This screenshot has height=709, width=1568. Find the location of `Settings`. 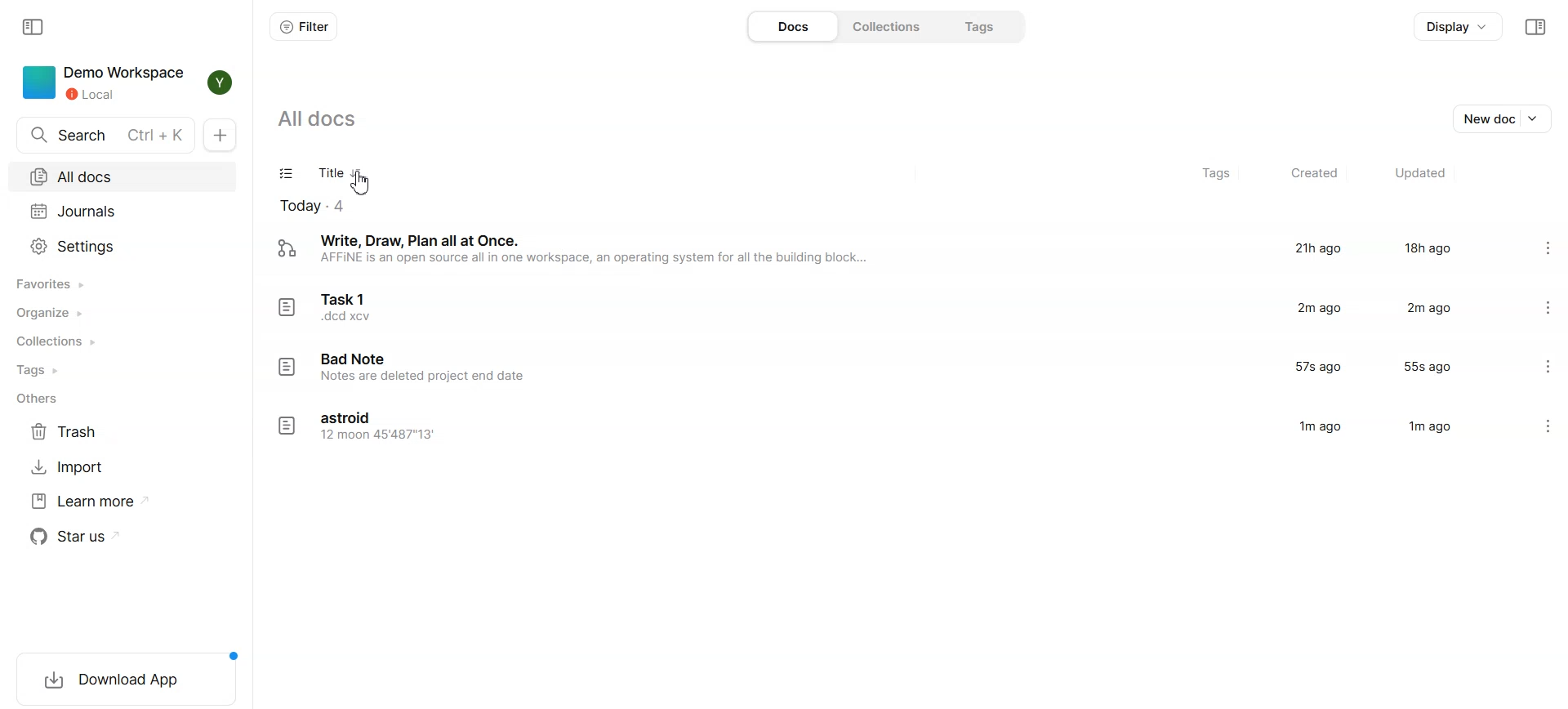

Settings is located at coordinates (1548, 247).